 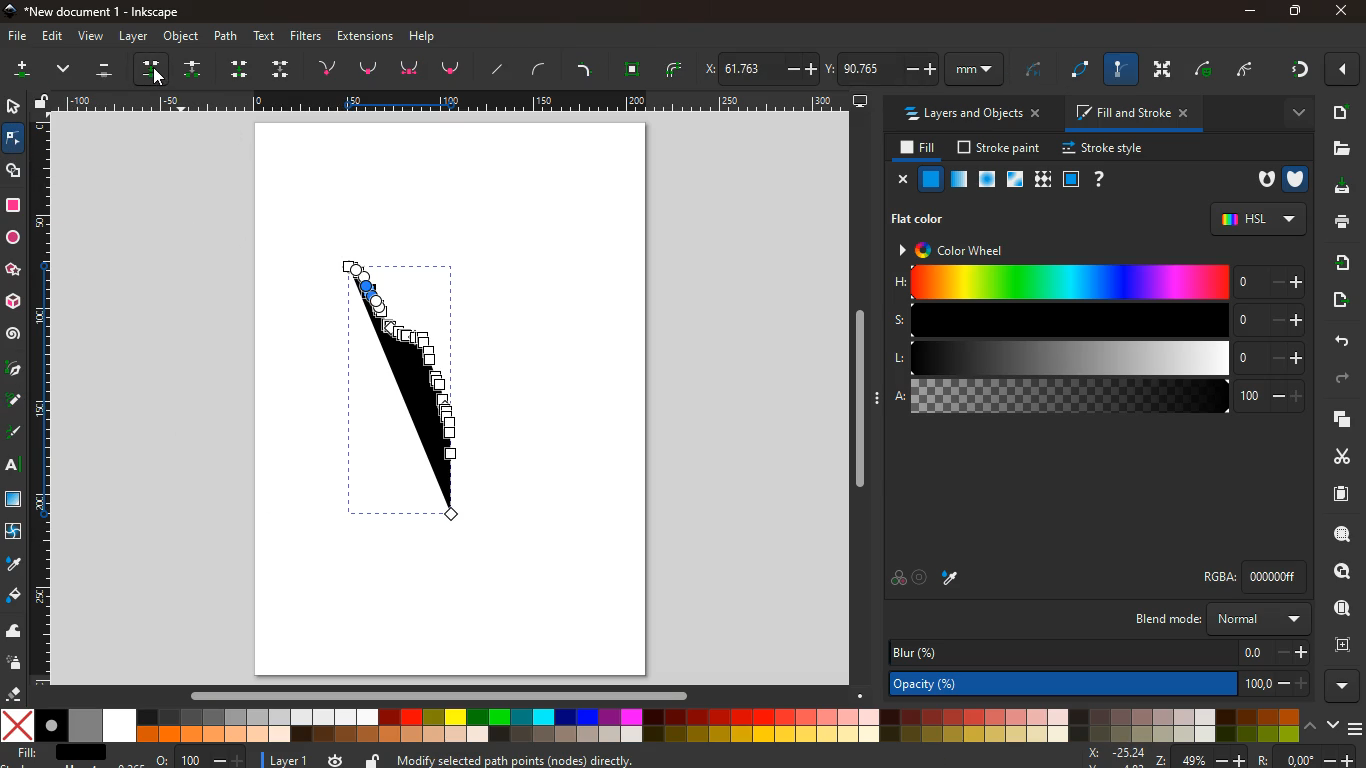 I want to click on opacity, so click(x=1102, y=682).